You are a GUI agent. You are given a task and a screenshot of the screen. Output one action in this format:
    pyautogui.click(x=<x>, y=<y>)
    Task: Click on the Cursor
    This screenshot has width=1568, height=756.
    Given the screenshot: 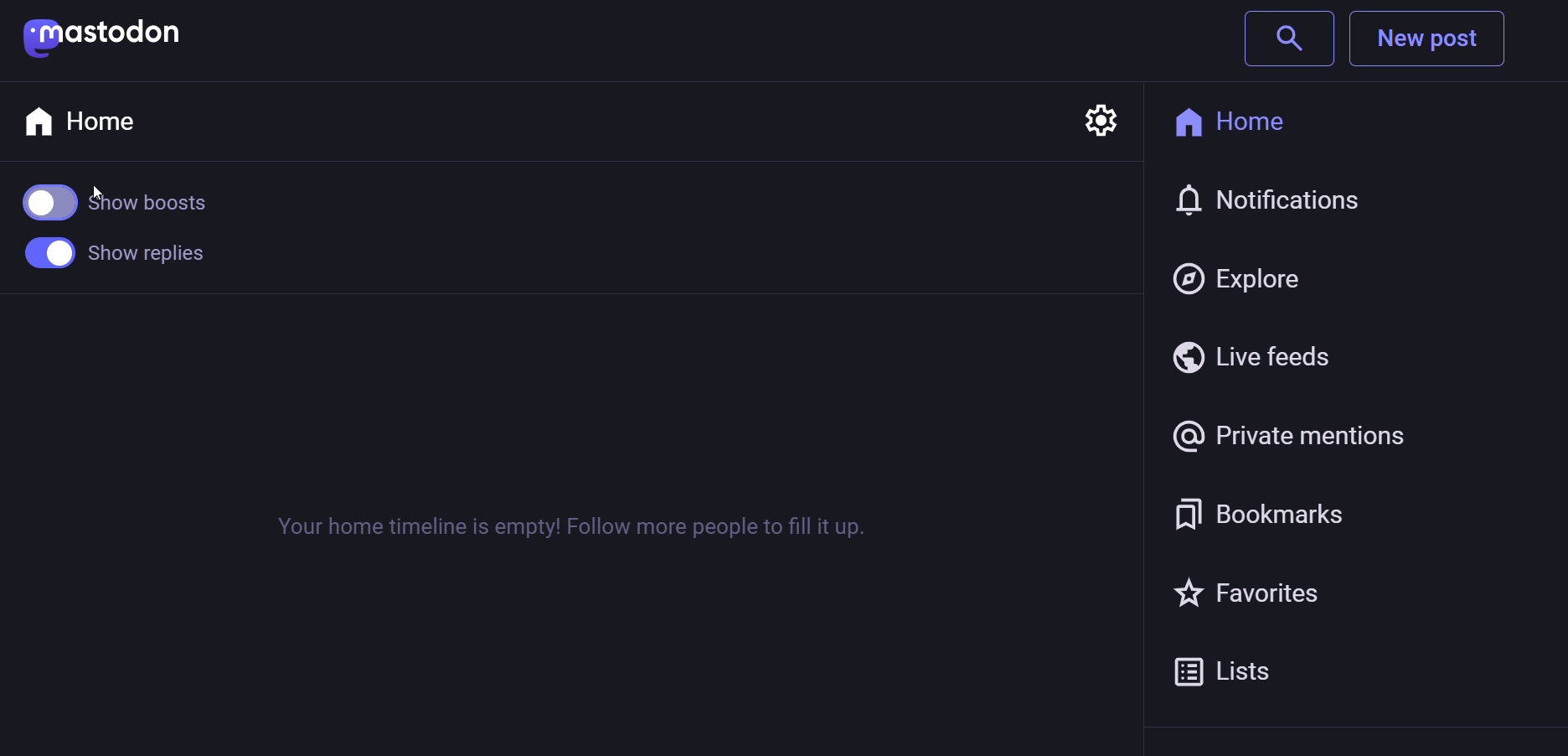 What is the action you would take?
    pyautogui.click(x=101, y=198)
    